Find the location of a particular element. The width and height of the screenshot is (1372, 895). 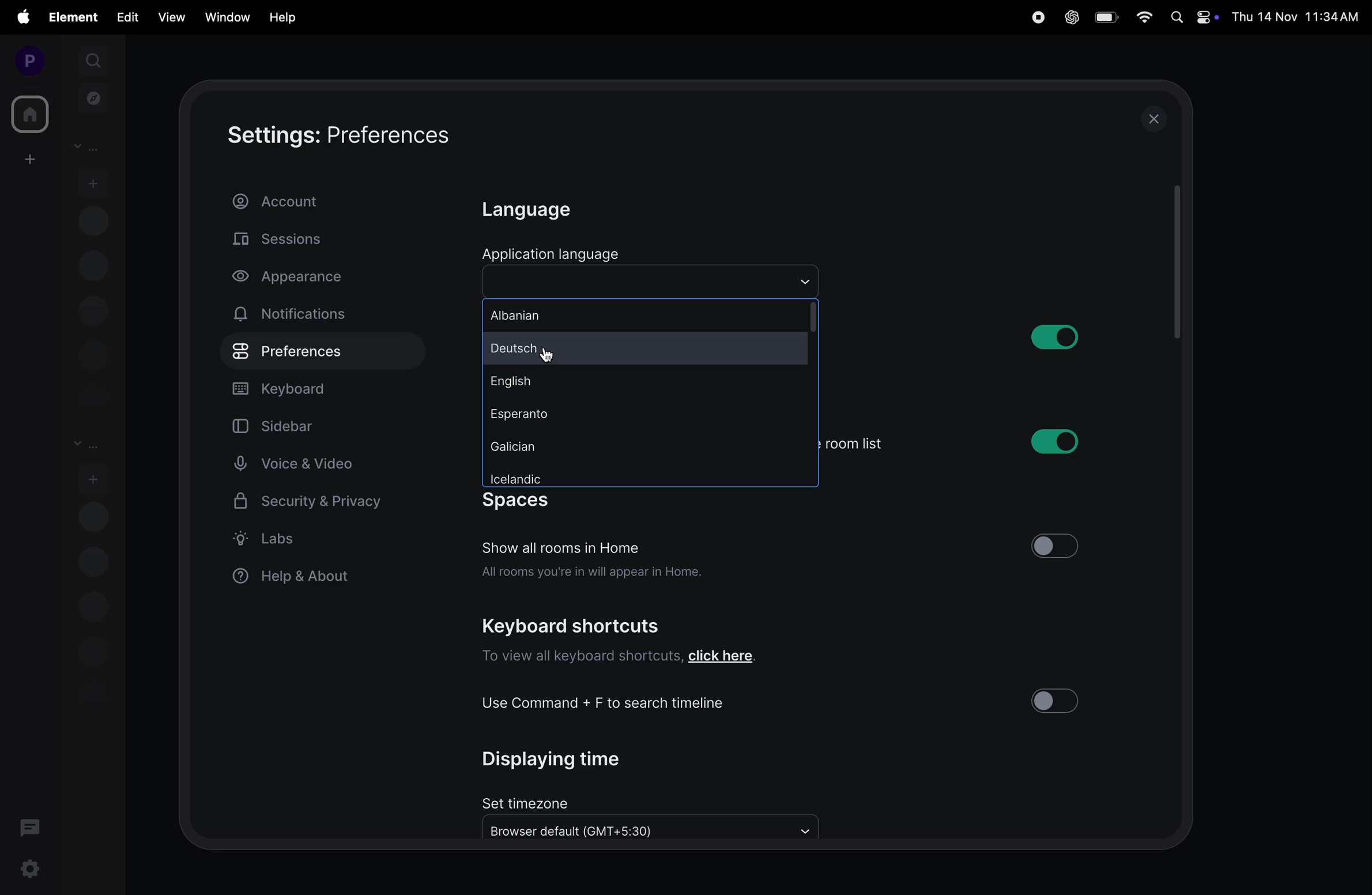

spaces is located at coordinates (524, 505).